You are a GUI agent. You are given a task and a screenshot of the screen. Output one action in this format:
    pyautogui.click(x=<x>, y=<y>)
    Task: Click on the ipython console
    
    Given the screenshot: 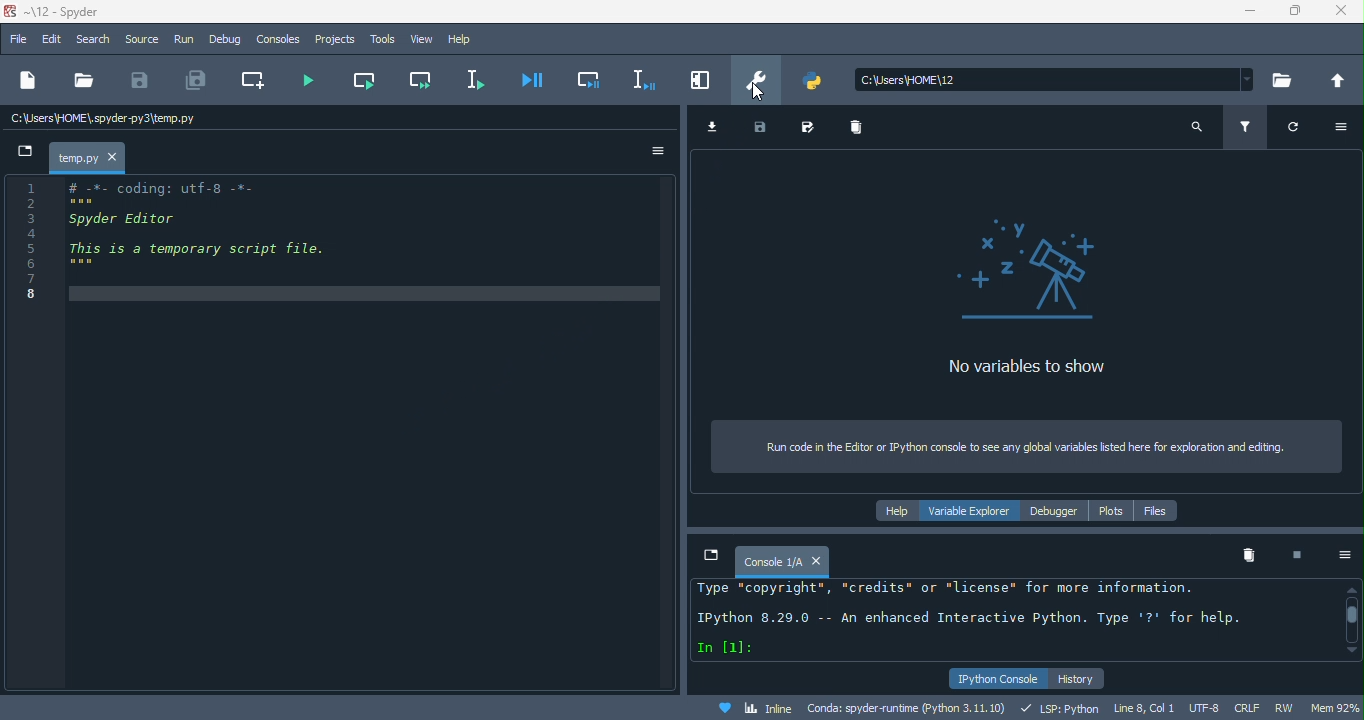 What is the action you would take?
    pyautogui.click(x=996, y=678)
    